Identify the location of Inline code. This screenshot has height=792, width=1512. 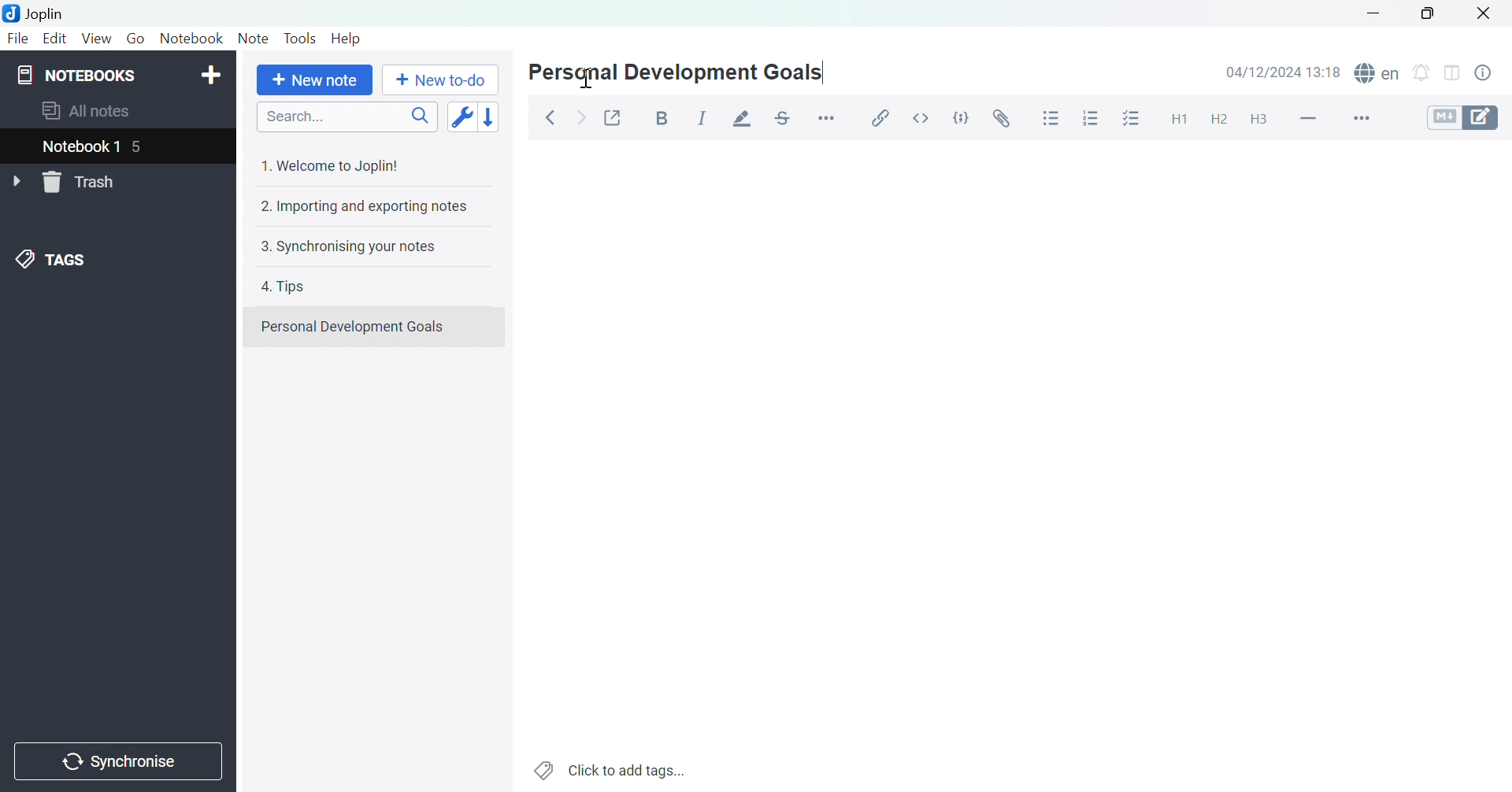
(919, 120).